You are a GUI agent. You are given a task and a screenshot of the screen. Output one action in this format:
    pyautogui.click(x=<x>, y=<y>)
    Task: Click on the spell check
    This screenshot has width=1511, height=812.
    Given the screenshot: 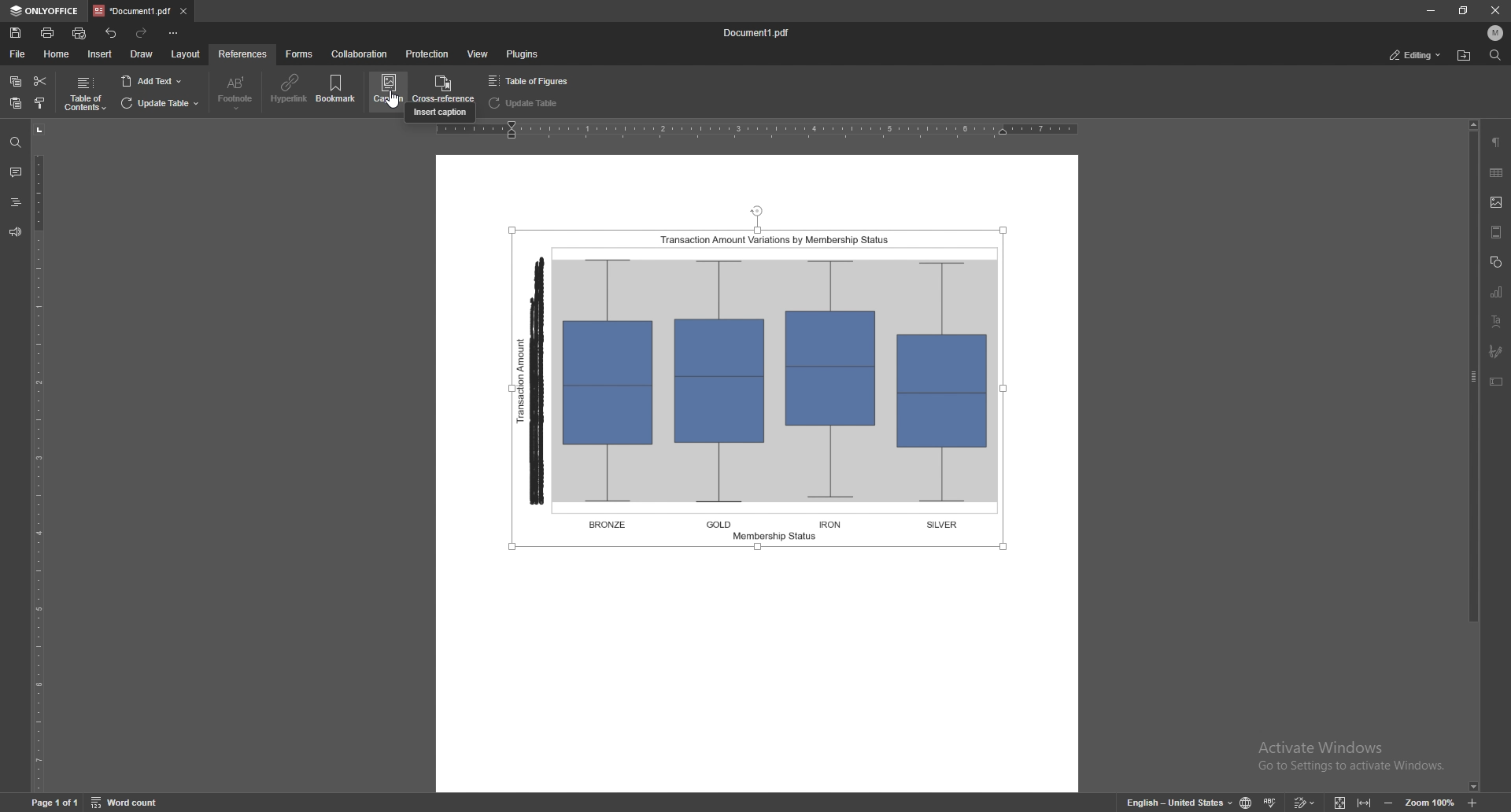 What is the action you would take?
    pyautogui.click(x=1270, y=802)
    